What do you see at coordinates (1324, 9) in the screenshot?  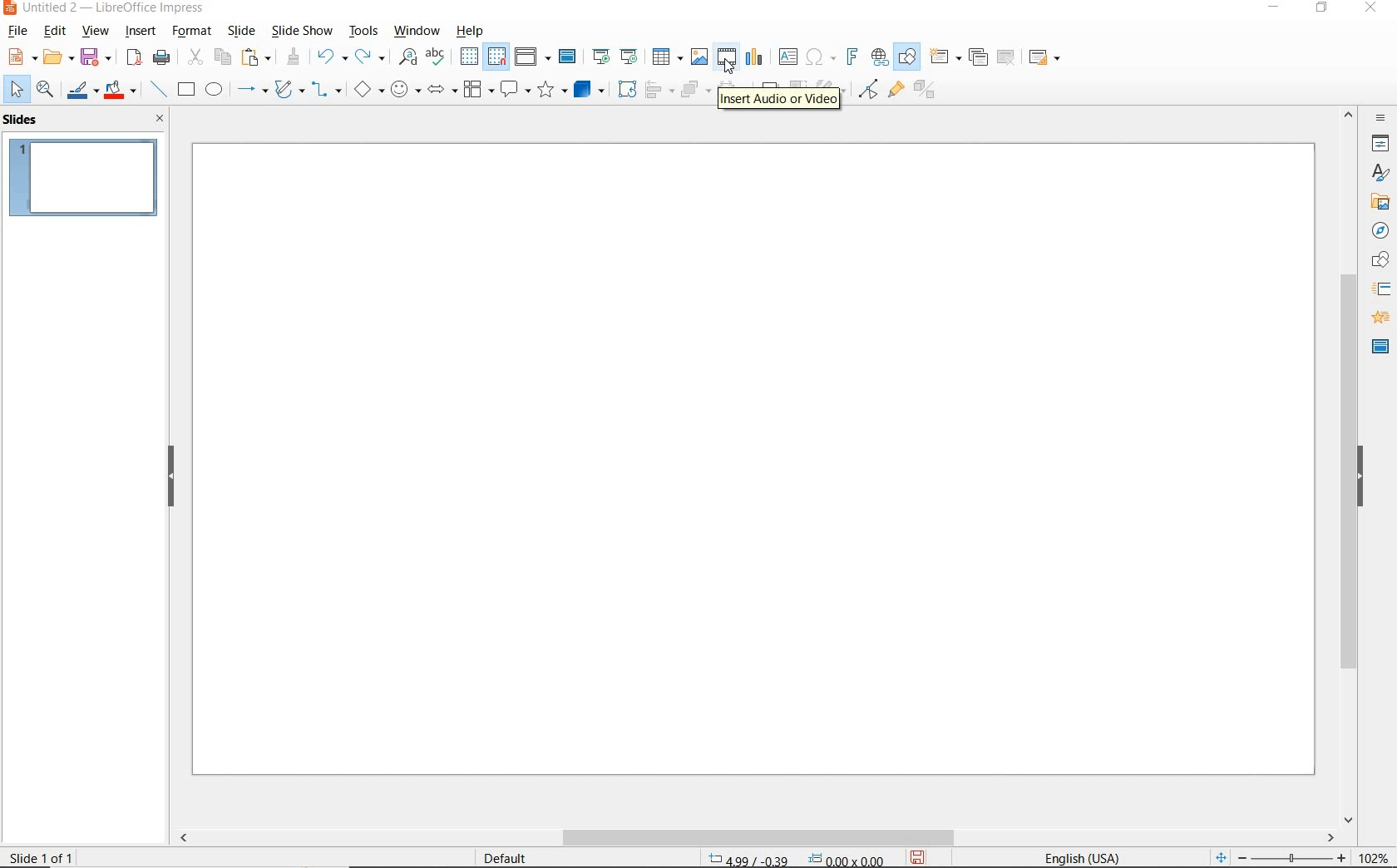 I see `RESTORE DOWN` at bounding box center [1324, 9].